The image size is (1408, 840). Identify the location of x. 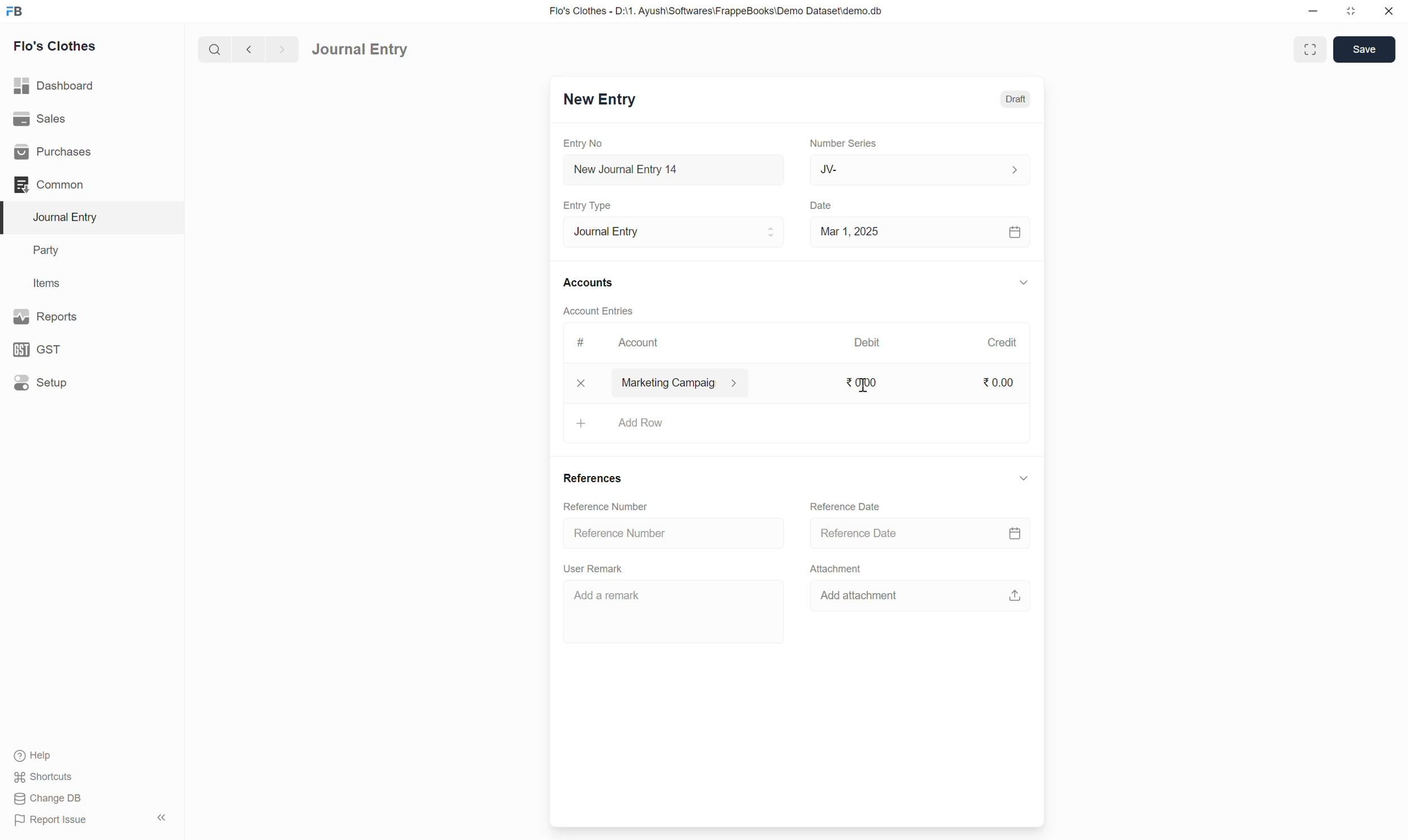
(582, 383).